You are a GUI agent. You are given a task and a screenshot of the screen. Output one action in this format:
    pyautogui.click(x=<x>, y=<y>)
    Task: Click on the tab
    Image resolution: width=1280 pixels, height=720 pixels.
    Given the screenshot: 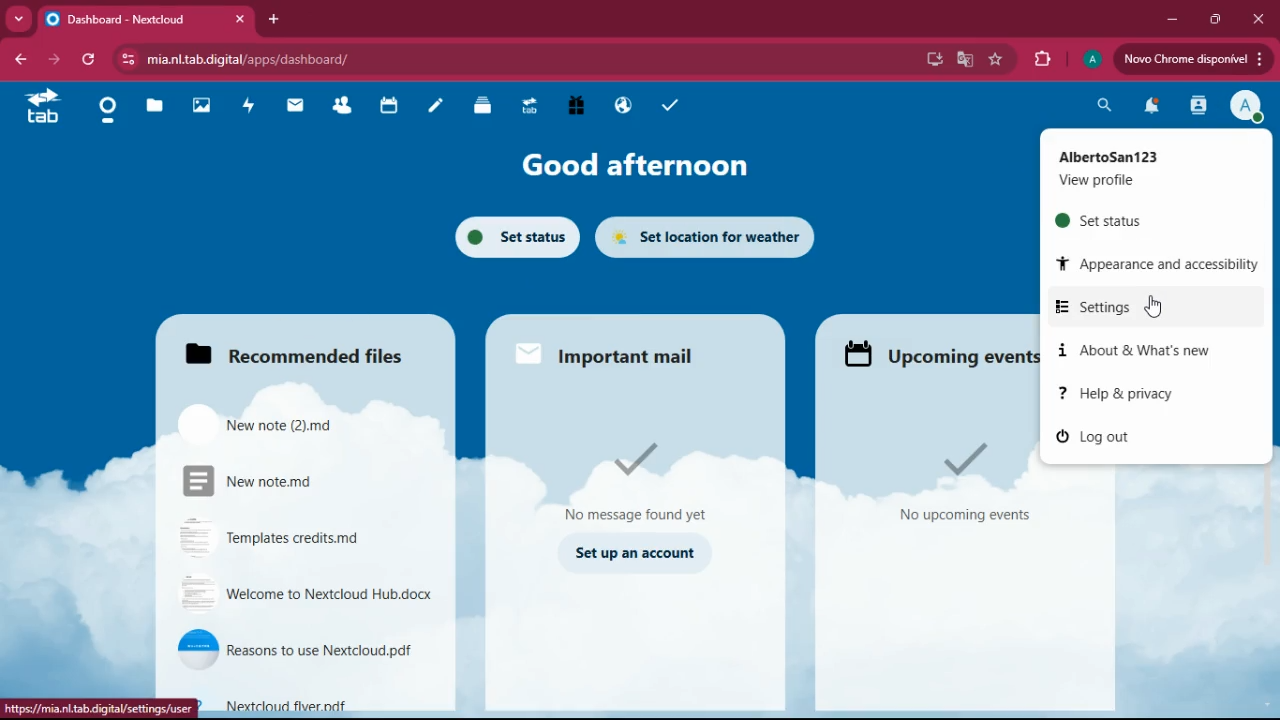 What is the action you would take?
    pyautogui.click(x=530, y=109)
    